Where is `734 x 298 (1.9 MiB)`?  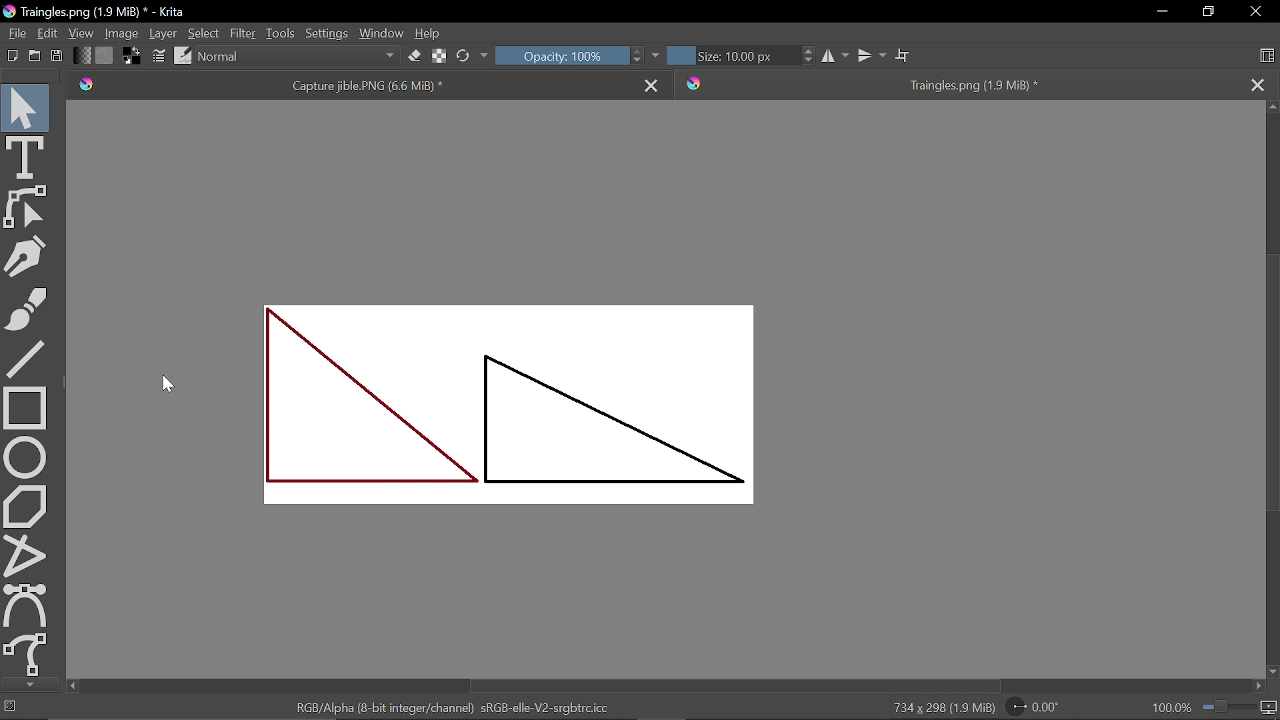 734 x 298 (1.9 MiB) is located at coordinates (940, 708).